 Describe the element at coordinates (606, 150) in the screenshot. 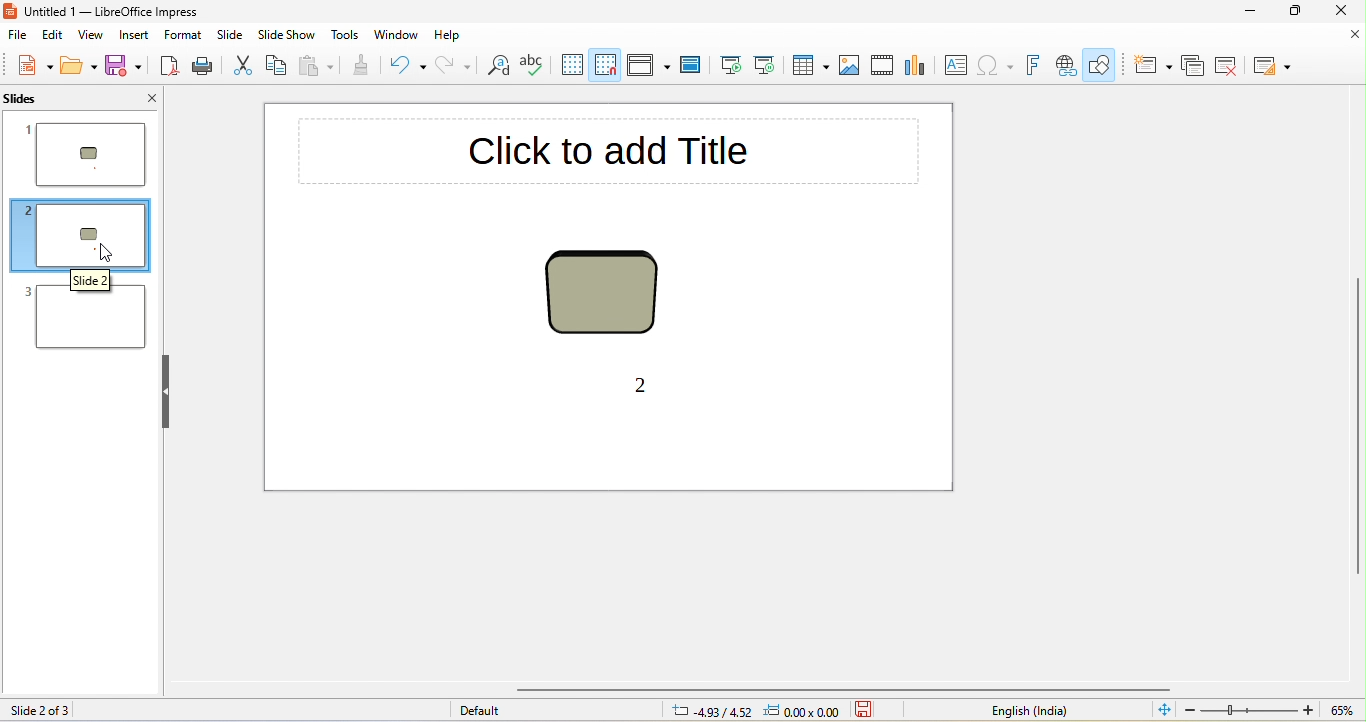

I see `Click to add Title` at that location.